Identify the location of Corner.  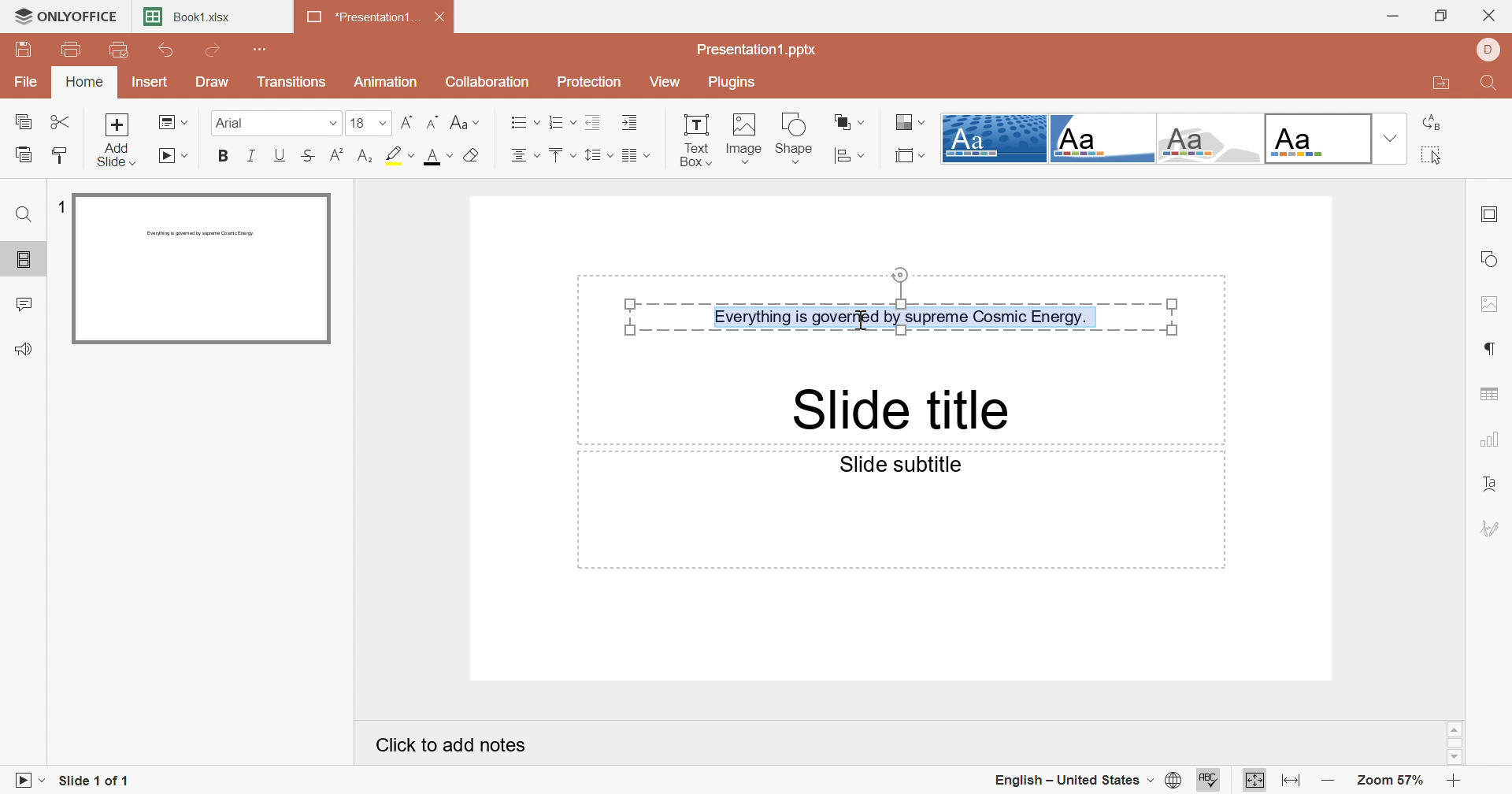
(641, 155).